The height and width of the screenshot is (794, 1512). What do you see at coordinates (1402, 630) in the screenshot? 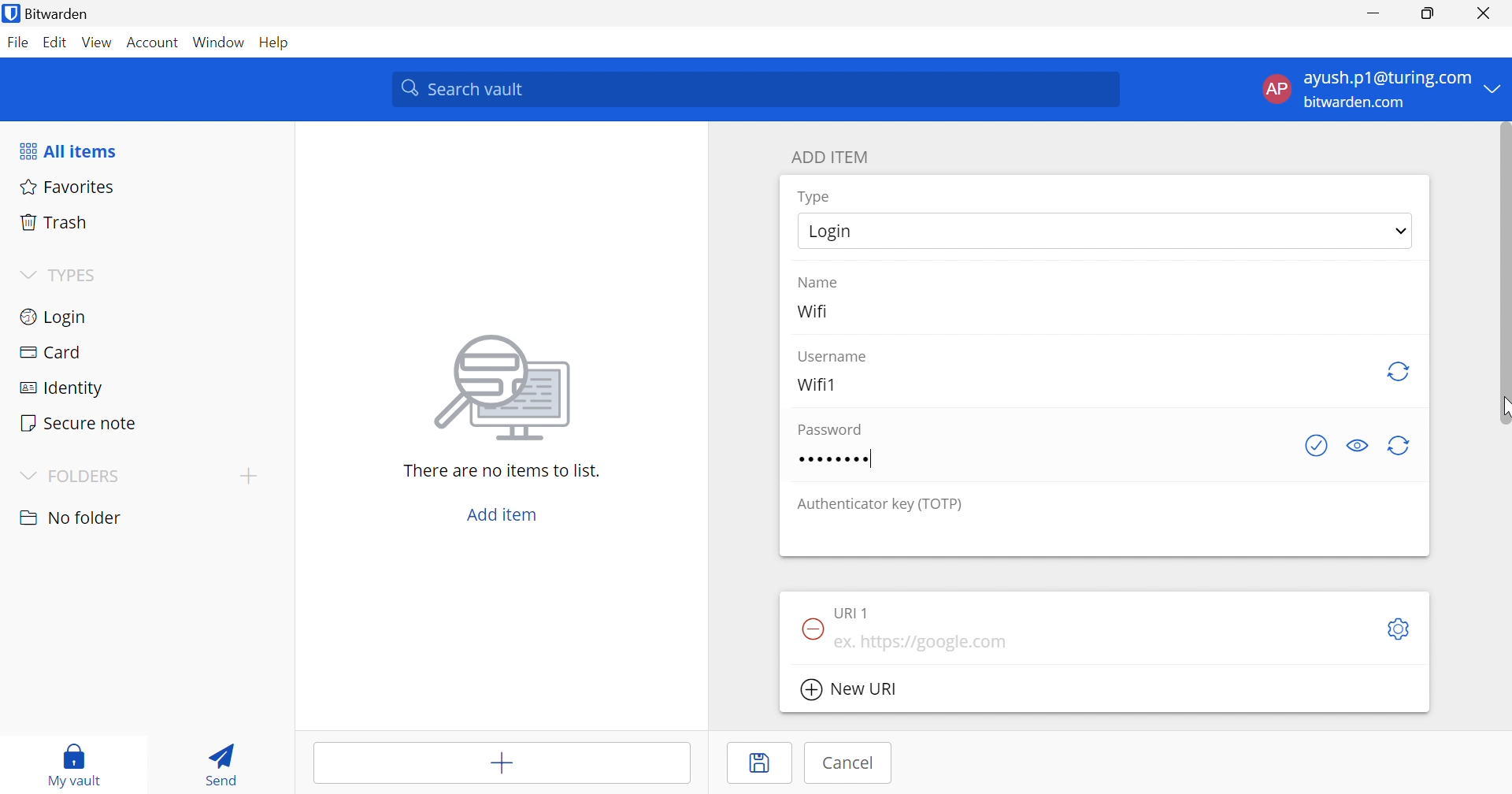
I see `Settings` at bounding box center [1402, 630].